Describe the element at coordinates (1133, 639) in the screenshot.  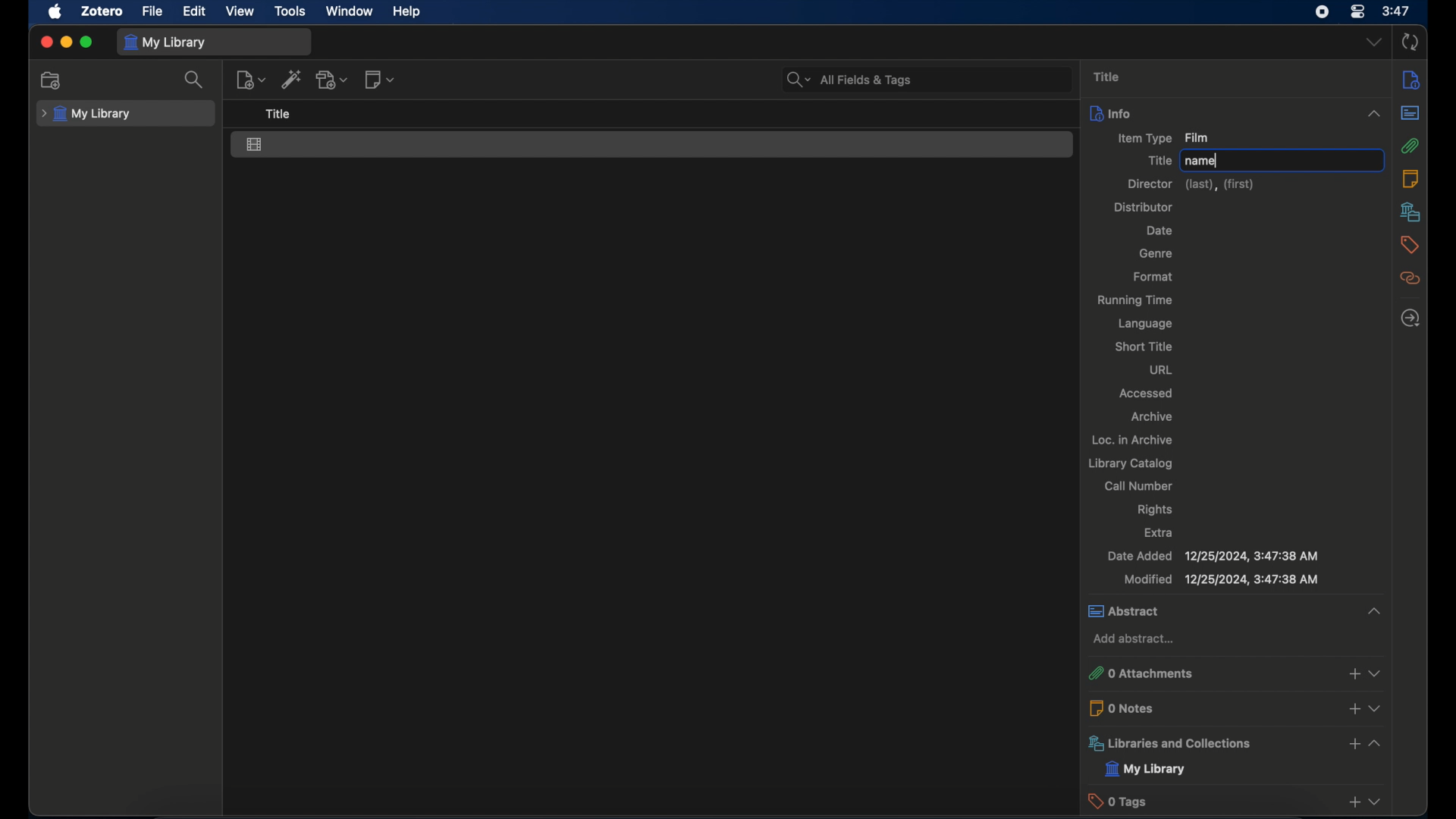
I see `add abstract` at that location.